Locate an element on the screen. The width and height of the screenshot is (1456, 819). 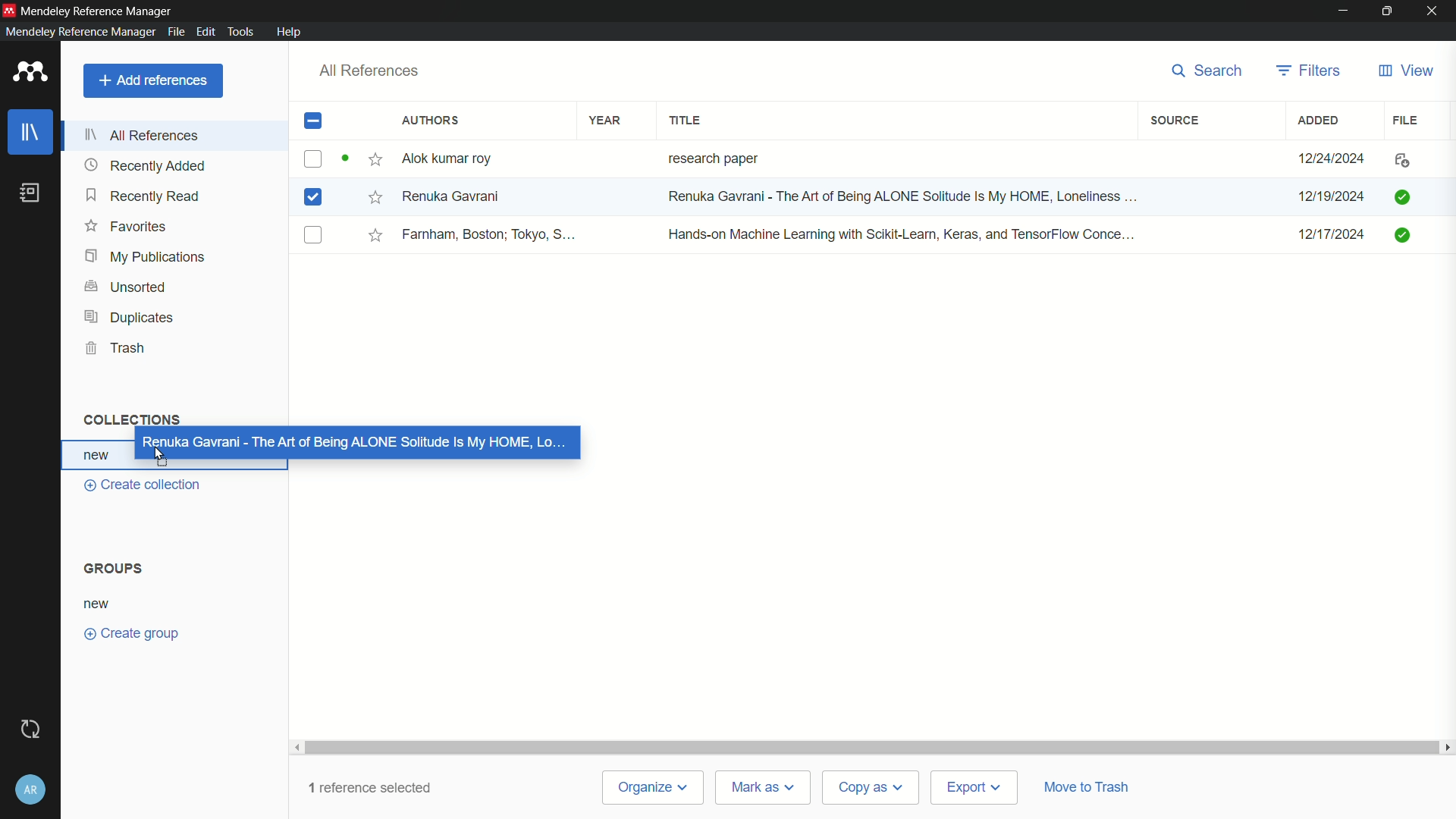
my publications is located at coordinates (149, 257).